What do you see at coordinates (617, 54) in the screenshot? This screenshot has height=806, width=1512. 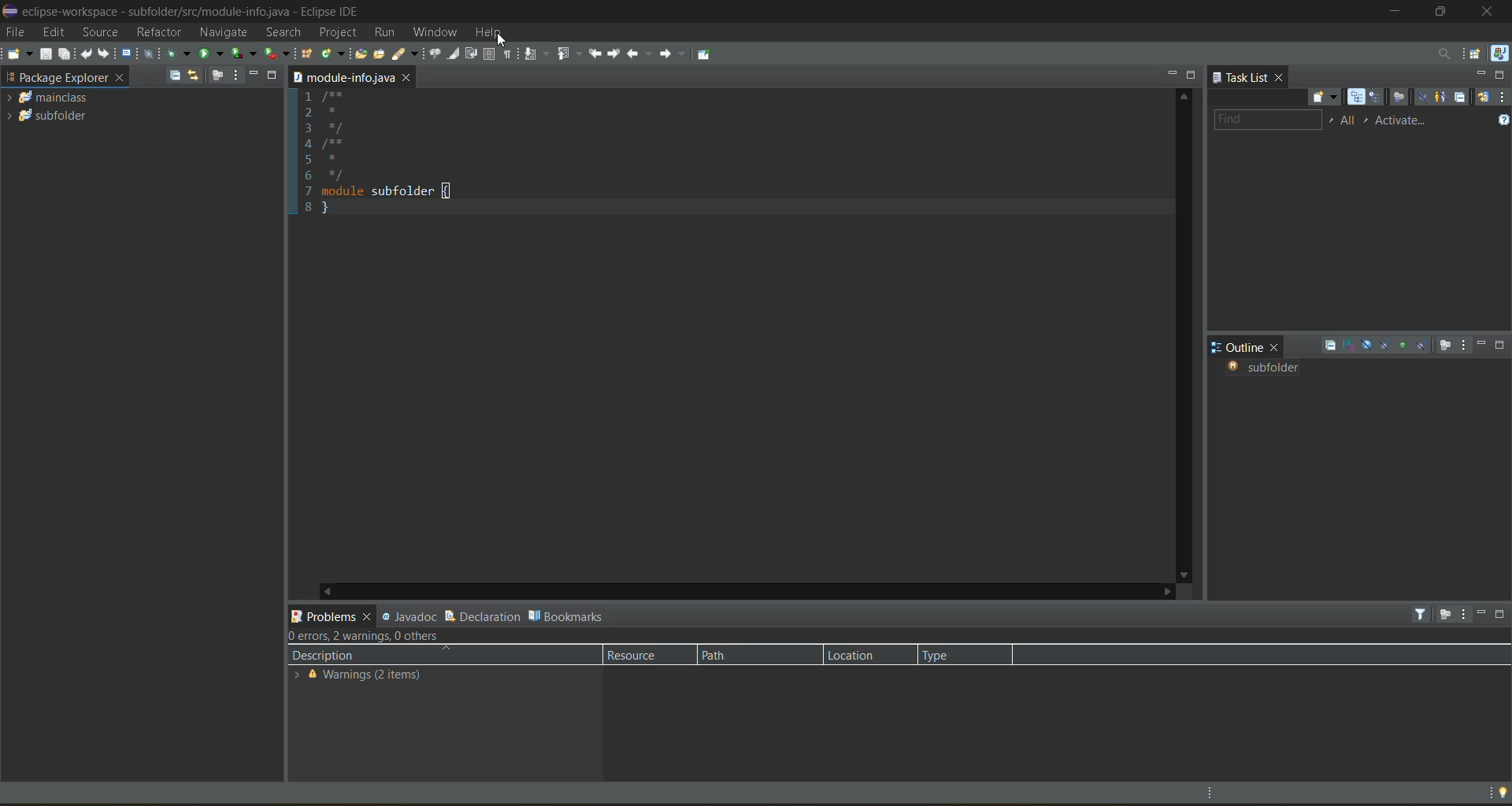 I see `next edit location` at bounding box center [617, 54].